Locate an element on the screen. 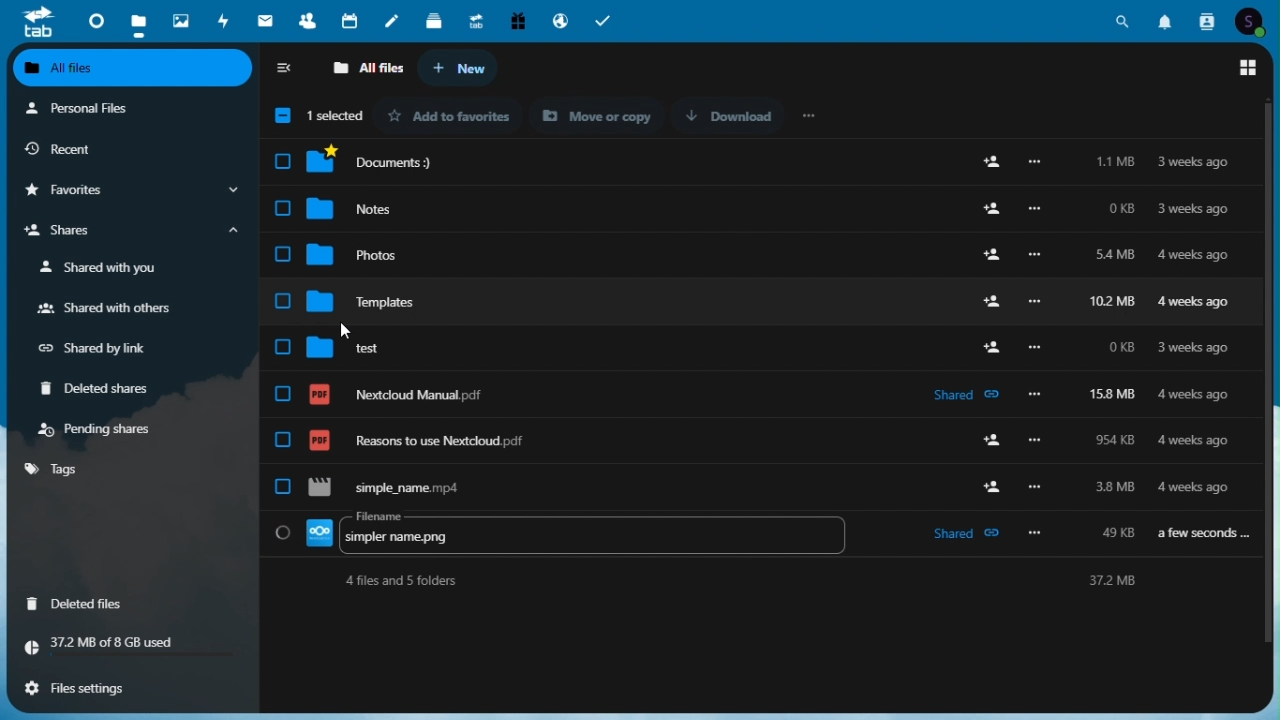 Image resolution: width=1280 pixels, height=720 pixels. Add to favourites is located at coordinates (456, 115).